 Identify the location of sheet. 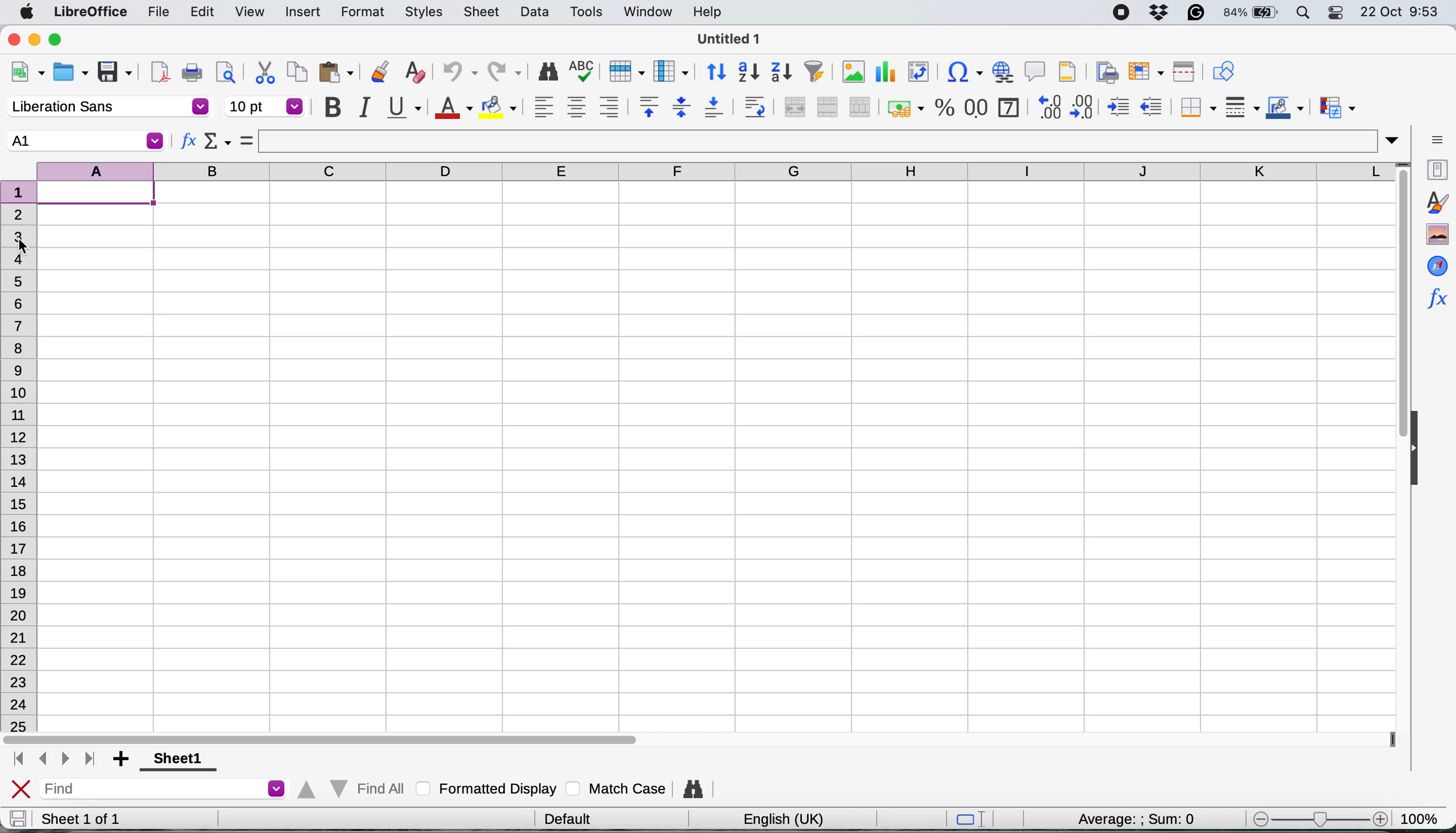
(483, 11).